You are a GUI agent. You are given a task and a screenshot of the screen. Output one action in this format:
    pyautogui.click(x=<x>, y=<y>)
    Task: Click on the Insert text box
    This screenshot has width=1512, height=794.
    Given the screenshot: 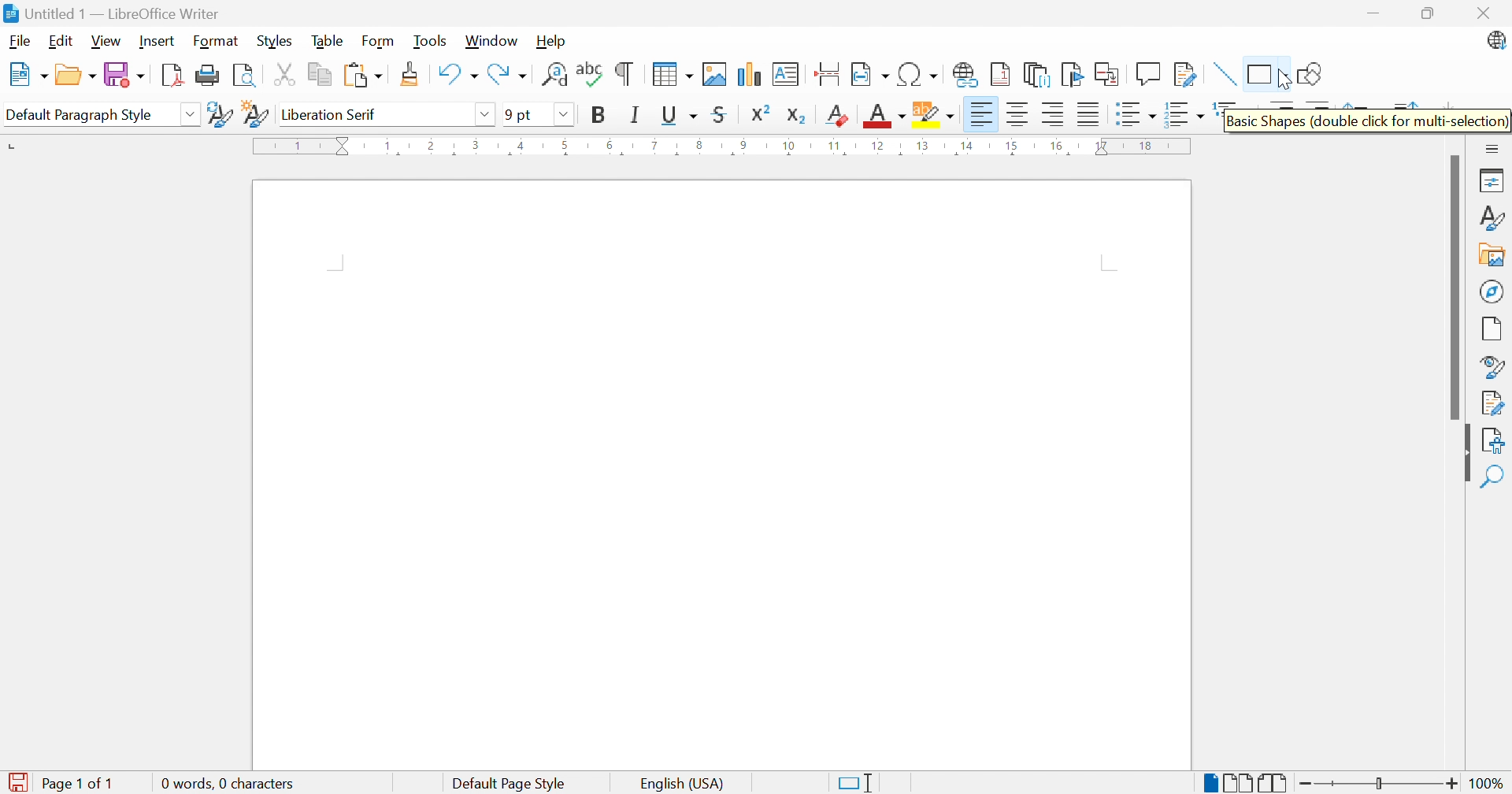 What is the action you would take?
    pyautogui.click(x=784, y=74)
    